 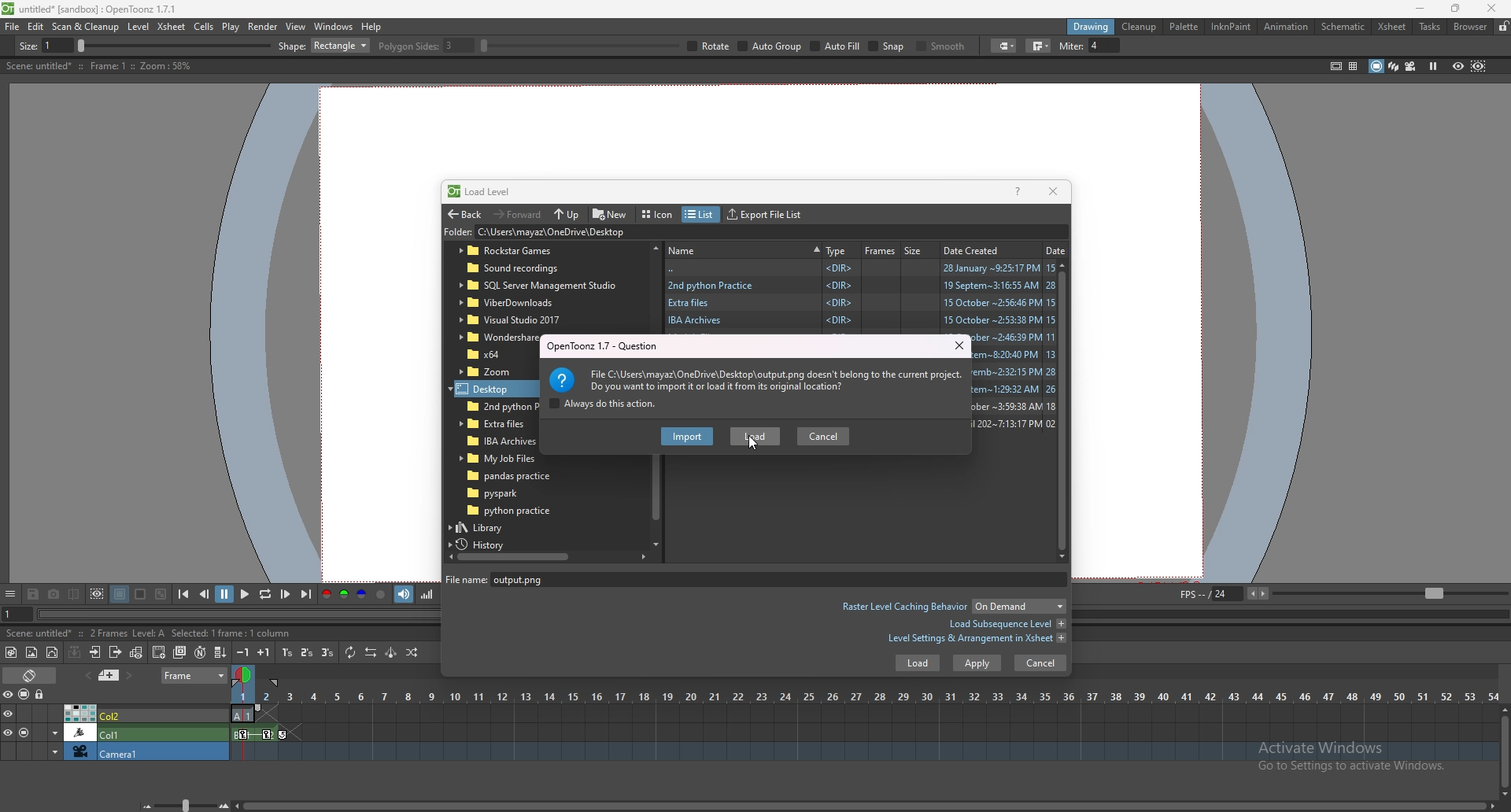 What do you see at coordinates (699, 215) in the screenshot?
I see `list` at bounding box center [699, 215].